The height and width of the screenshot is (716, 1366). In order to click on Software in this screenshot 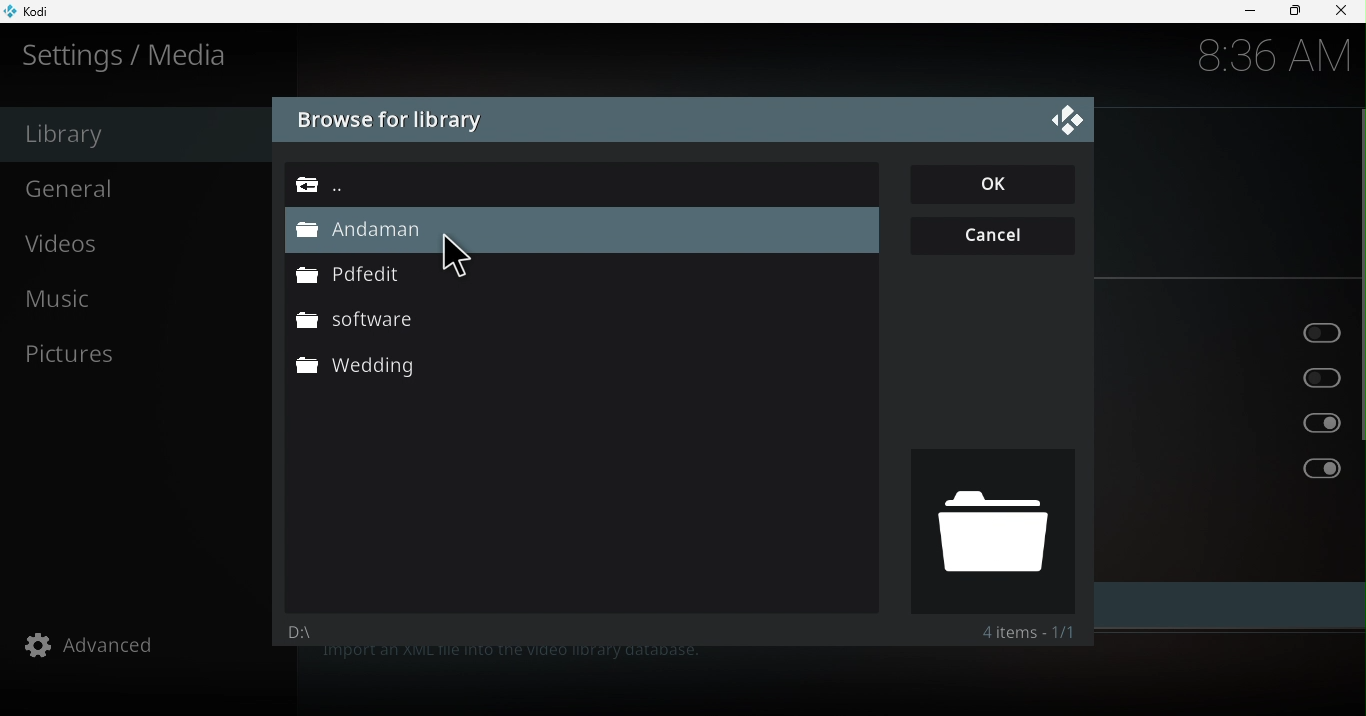, I will do `click(356, 318)`.